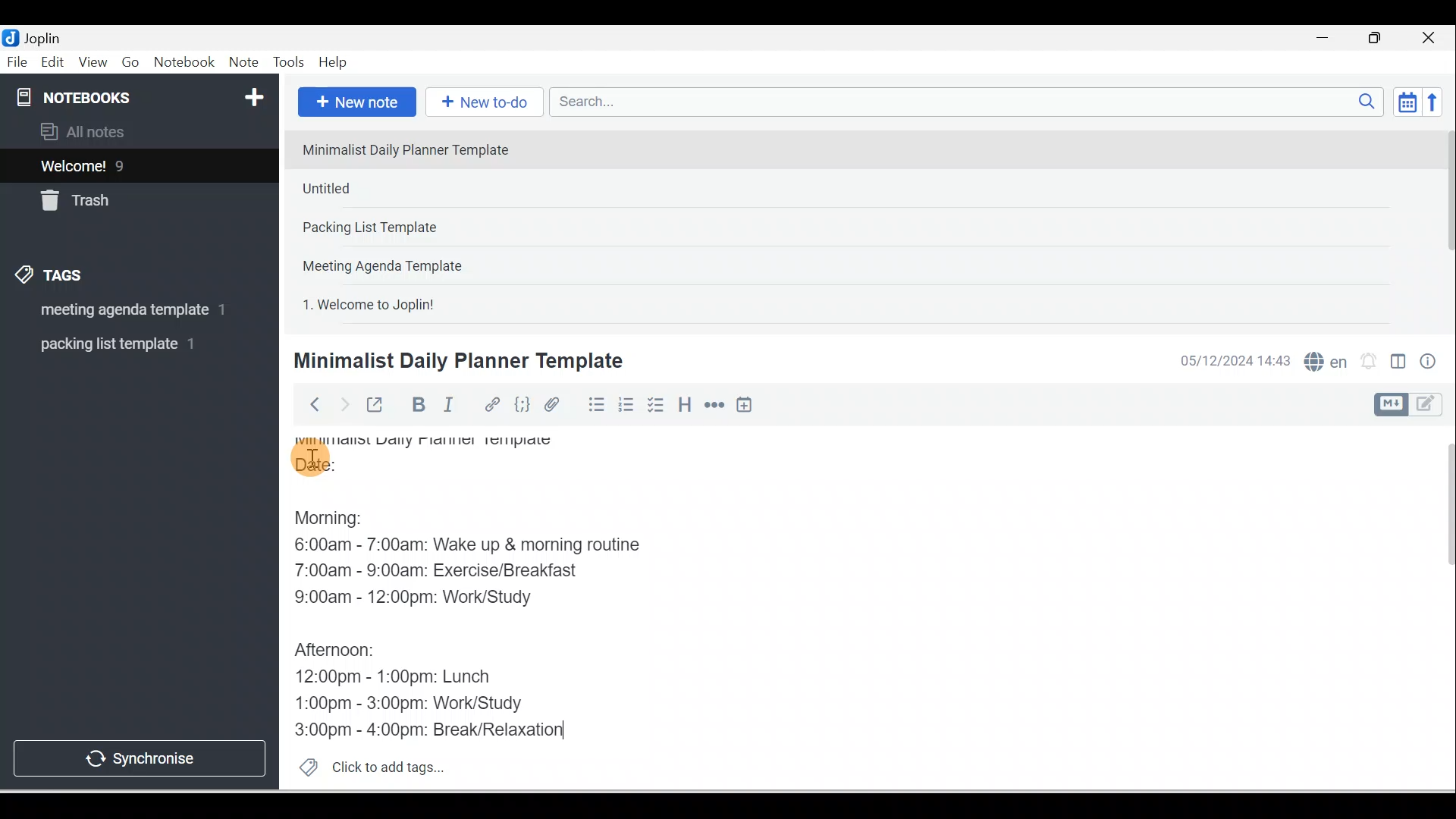 Image resolution: width=1456 pixels, height=819 pixels. I want to click on 12:00pm - 1:00pm: Lunch, so click(413, 675).